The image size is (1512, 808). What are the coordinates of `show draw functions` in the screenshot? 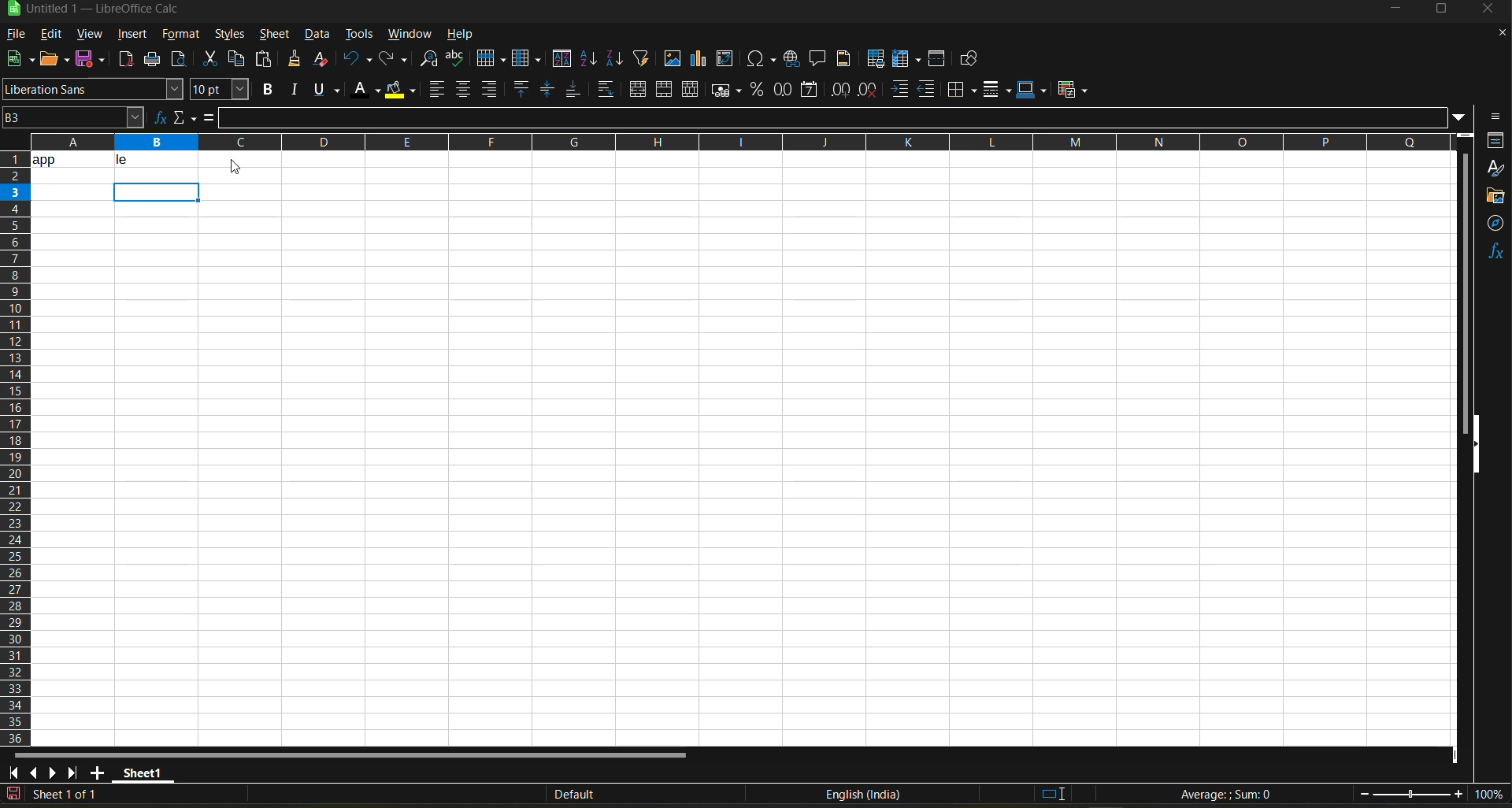 It's located at (966, 61).